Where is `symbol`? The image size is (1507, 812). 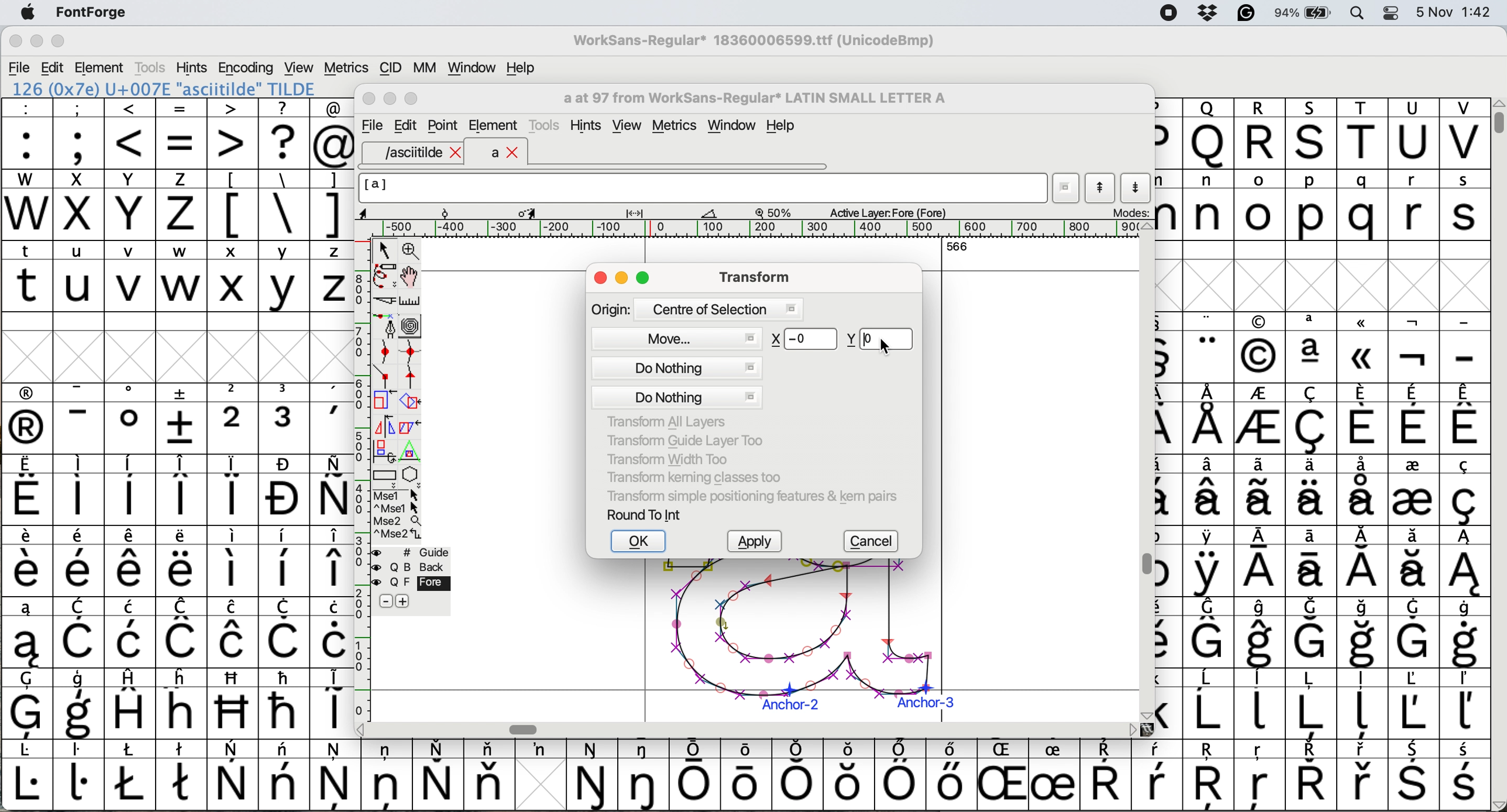 symbol is located at coordinates (1414, 776).